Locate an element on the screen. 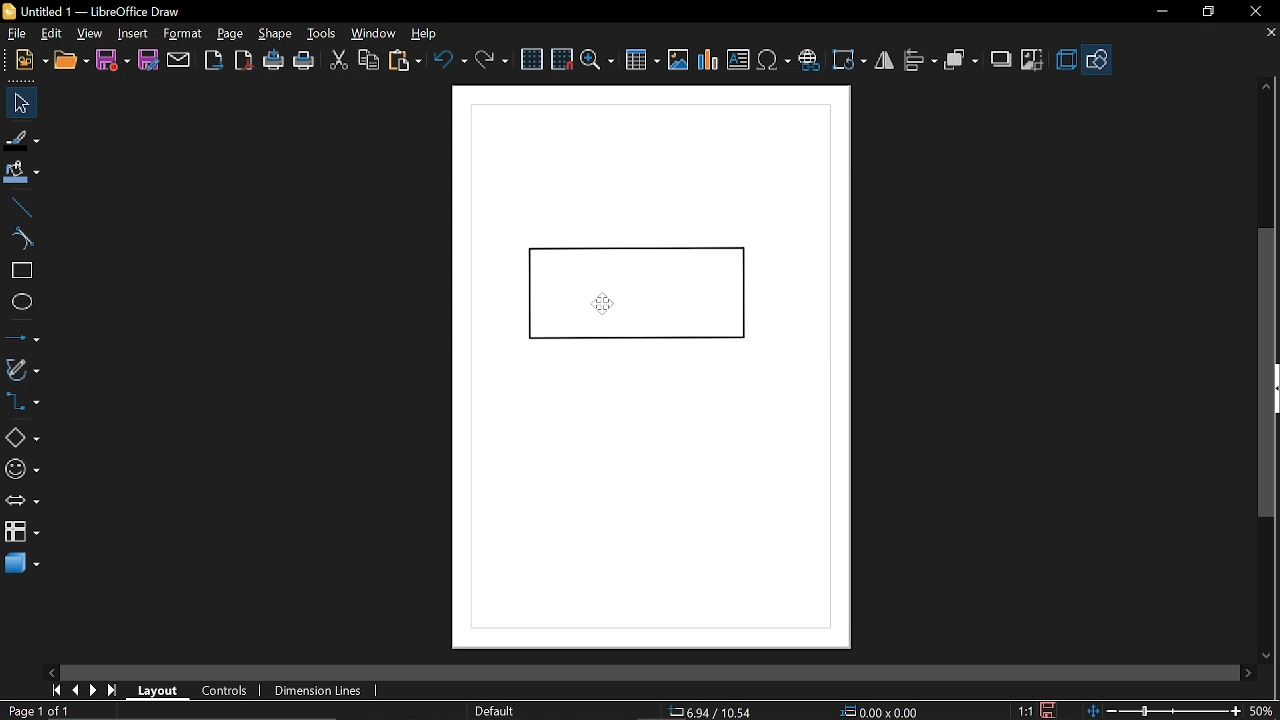 Image resolution: width=1280 pixels, height=720 pixels. dimension lines is located at coordinates (320, 691).